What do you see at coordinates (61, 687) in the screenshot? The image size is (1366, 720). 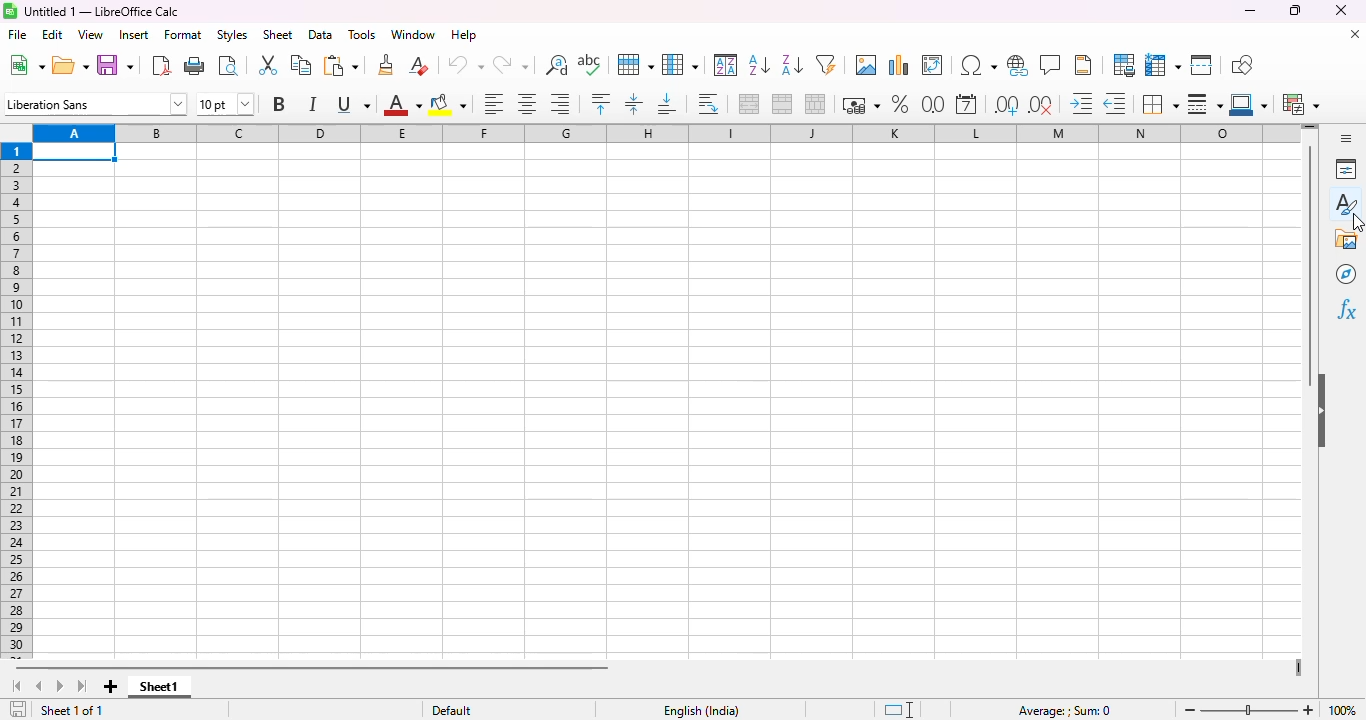 I see `scroll to next sheet` at bounding box center [61, 687].